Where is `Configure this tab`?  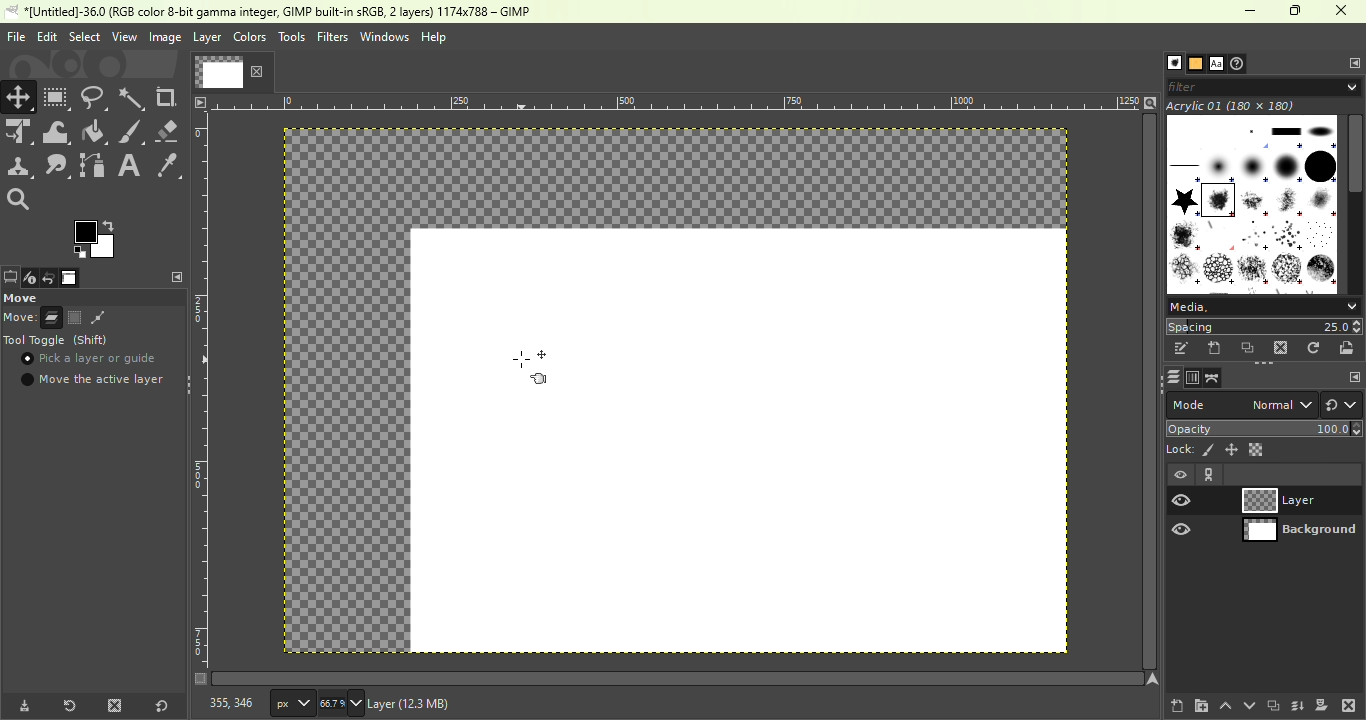
Configure this tab is located at coordinates (1351, 62).